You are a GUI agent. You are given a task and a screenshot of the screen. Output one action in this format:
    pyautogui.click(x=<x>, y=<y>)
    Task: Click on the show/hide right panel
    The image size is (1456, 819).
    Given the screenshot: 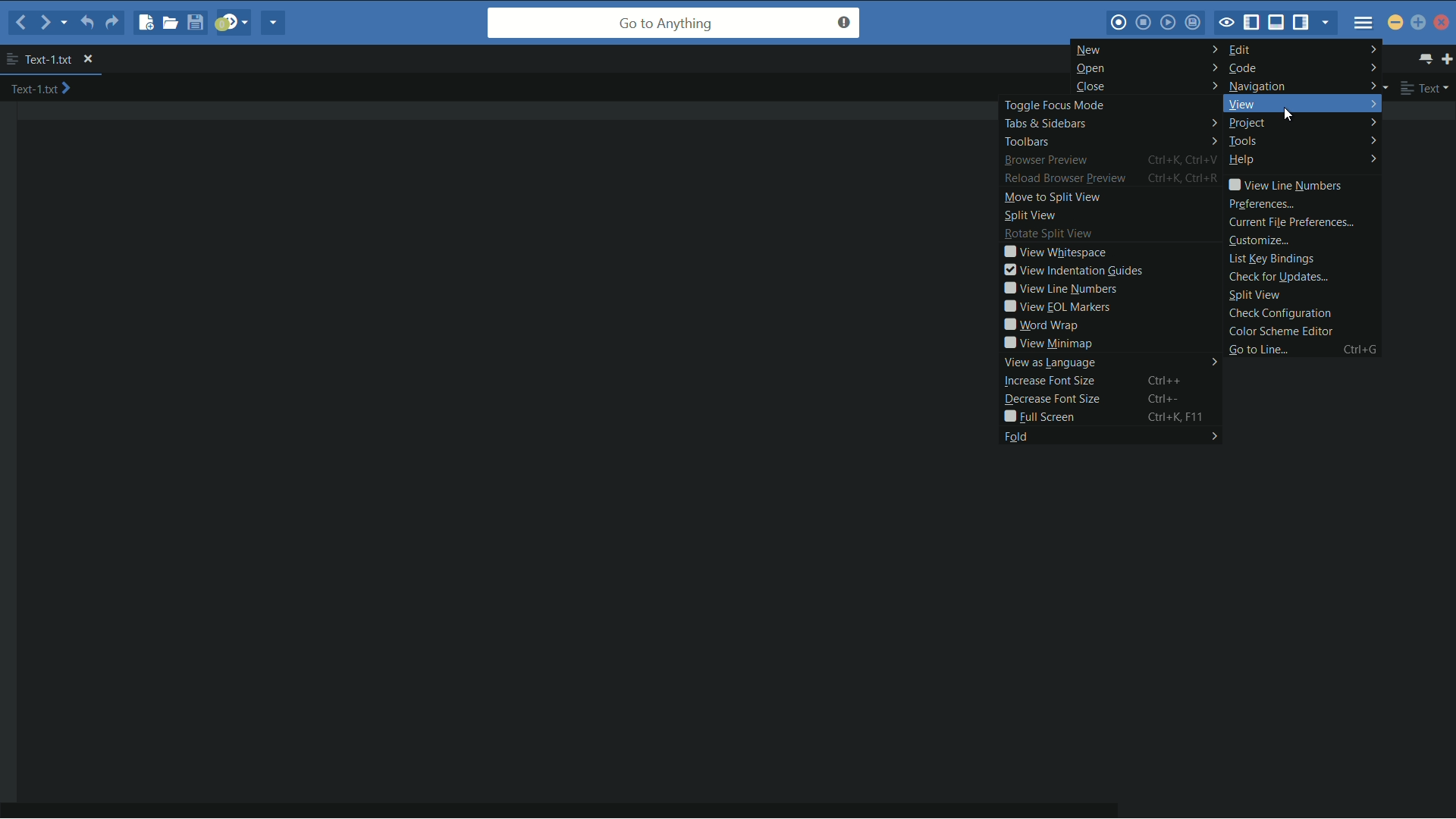 What is the action you would take?
    pyautogui.click(x=1302, y=24)
    